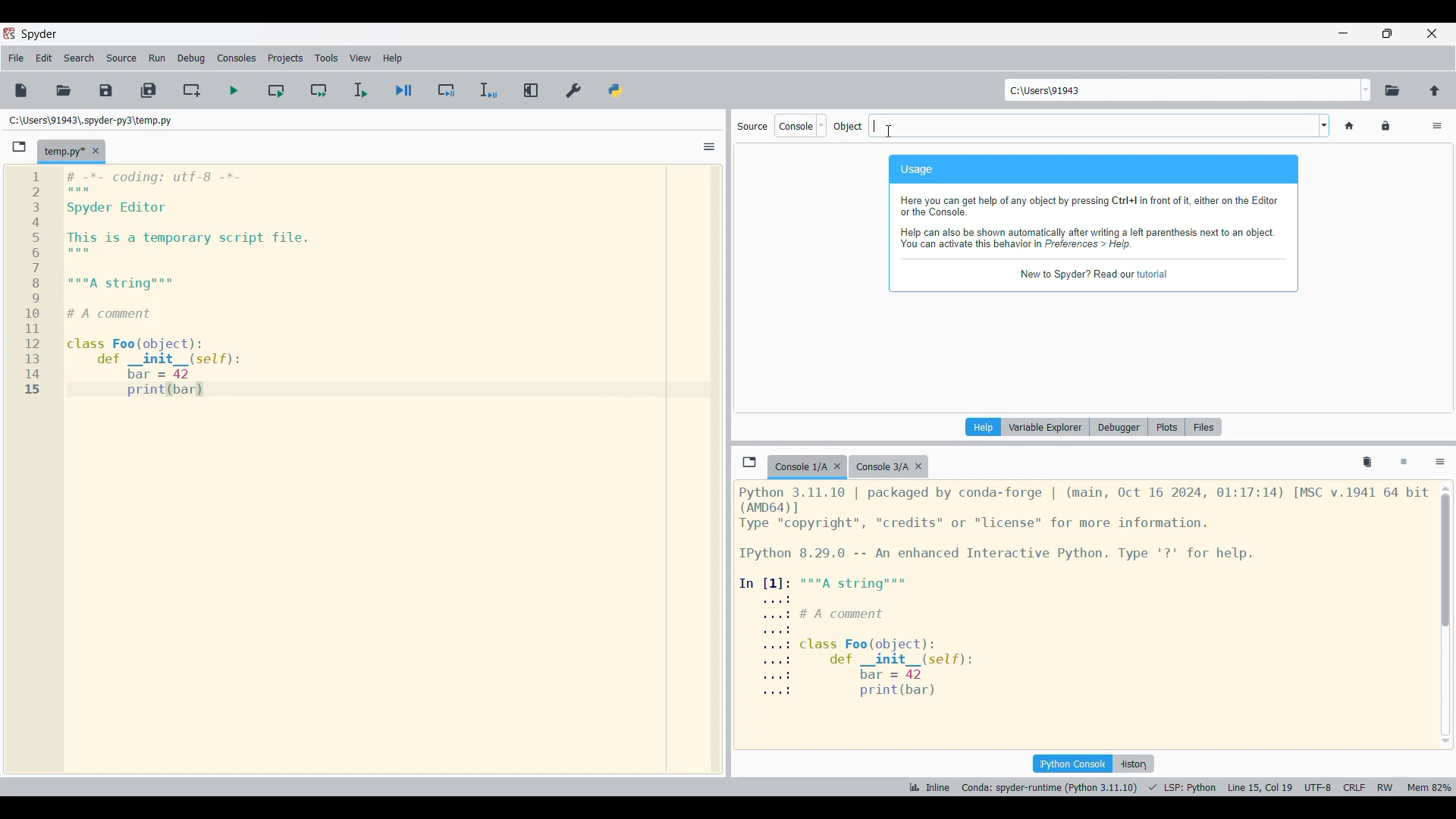 The height and width of the screenshot is (819, 1456). I want to click on line numbers, so click(33, 283).